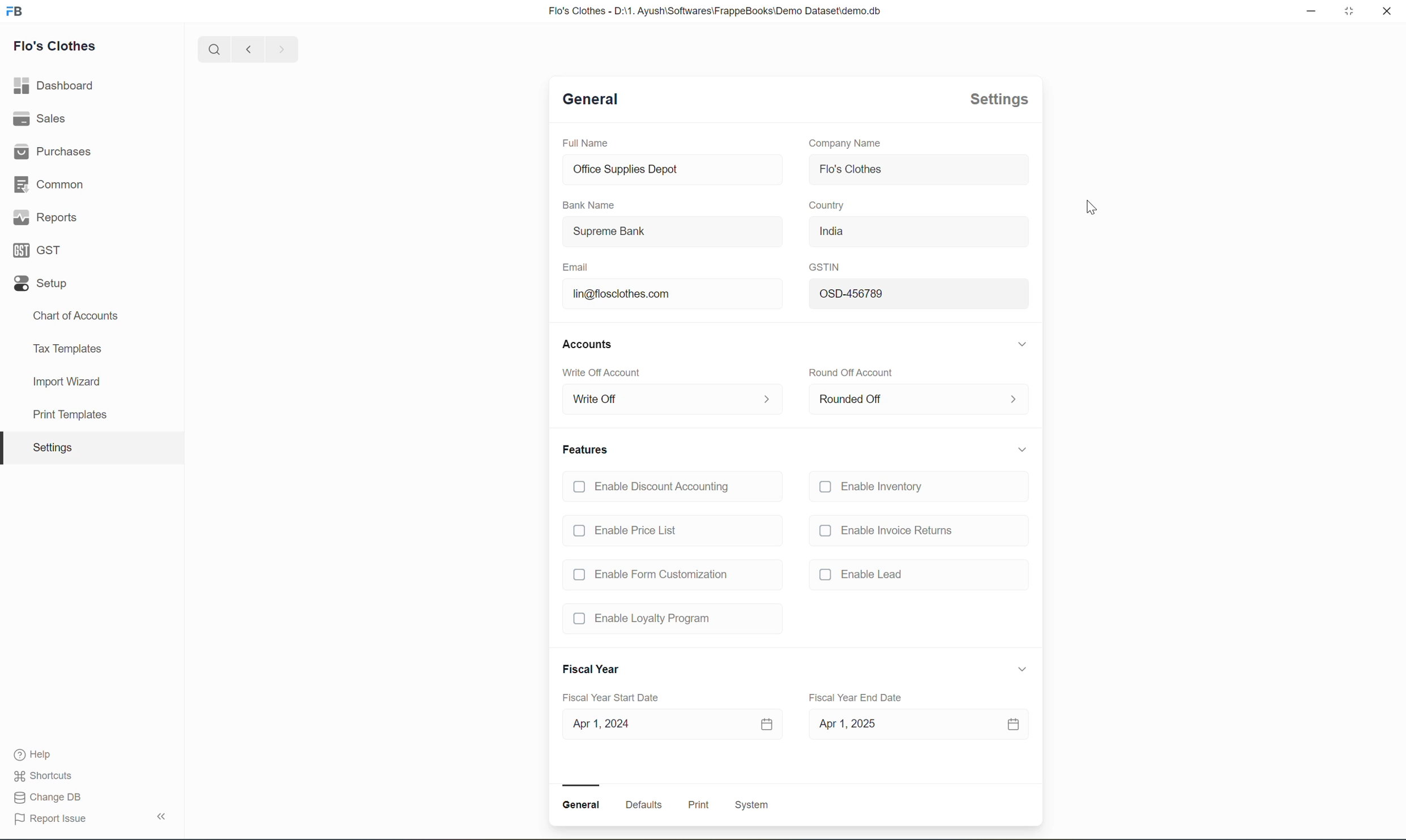 Image resolution: width=1406 pixels, height=840 pixels. What do you see at coordinates (998, 100) in the screenshot?
I see `Settings` at bounding box center [998, 100].